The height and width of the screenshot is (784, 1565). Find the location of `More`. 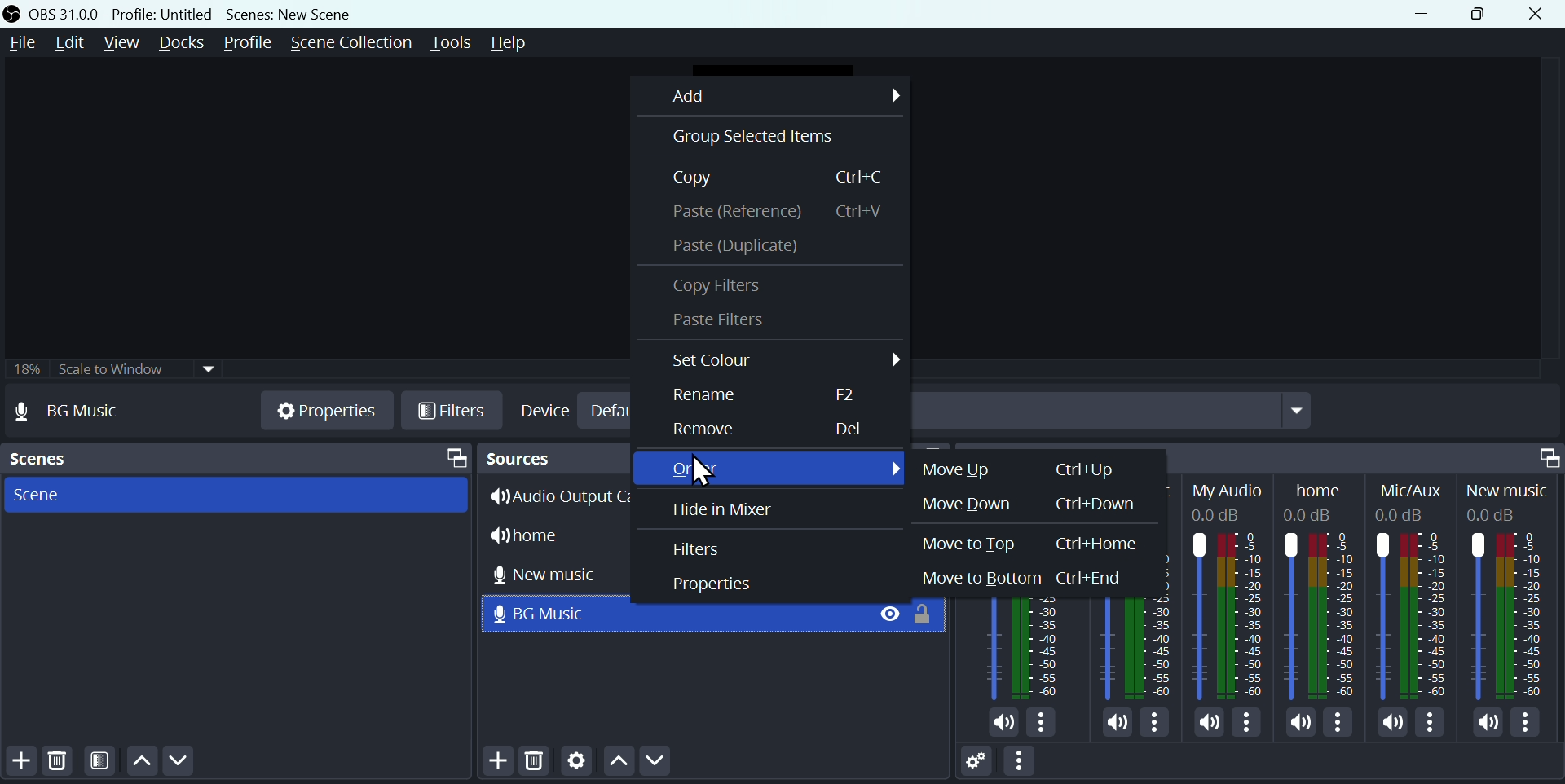

More is located at coordinates (1436, 726).